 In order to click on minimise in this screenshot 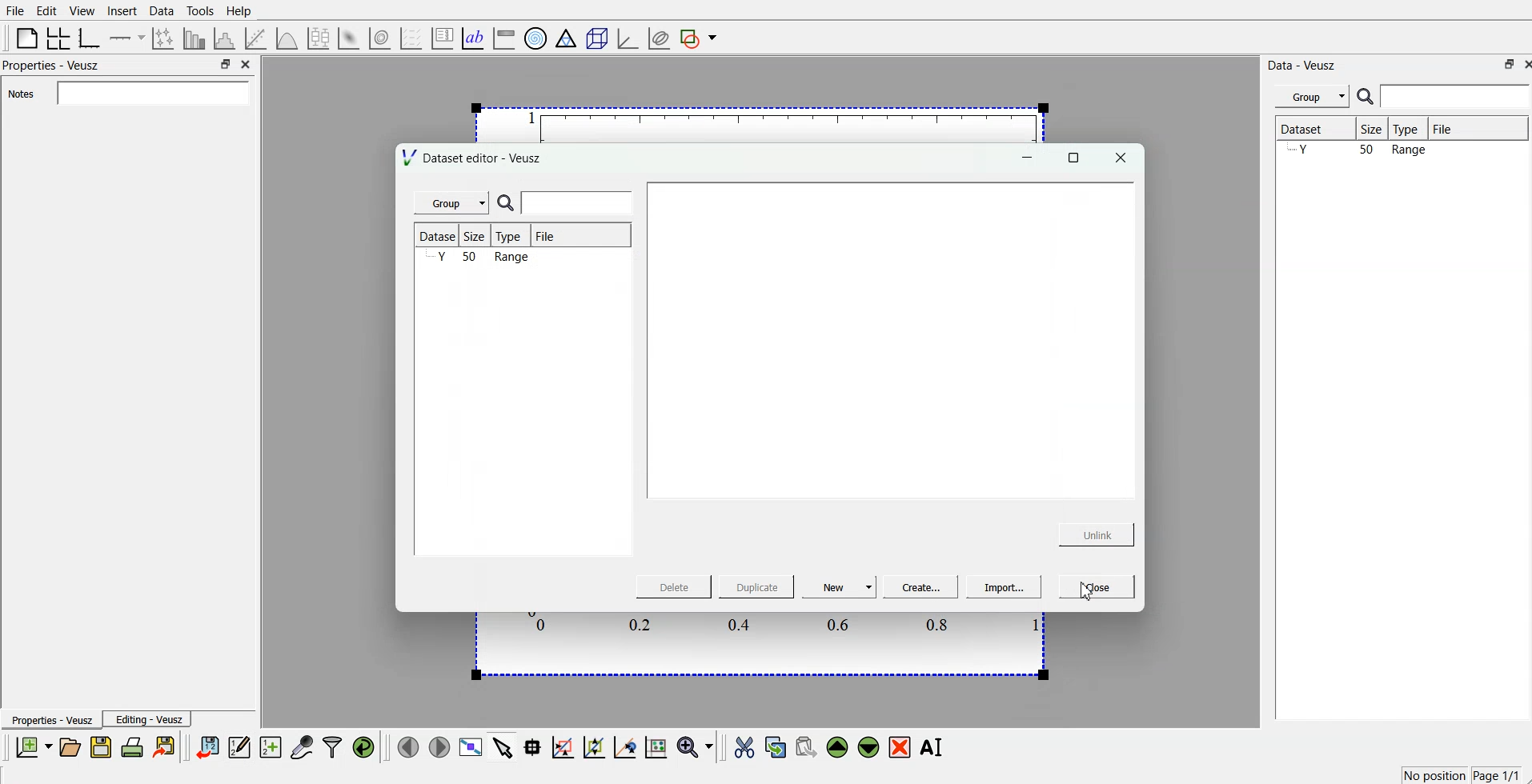, I will do `click(225, 62)`.